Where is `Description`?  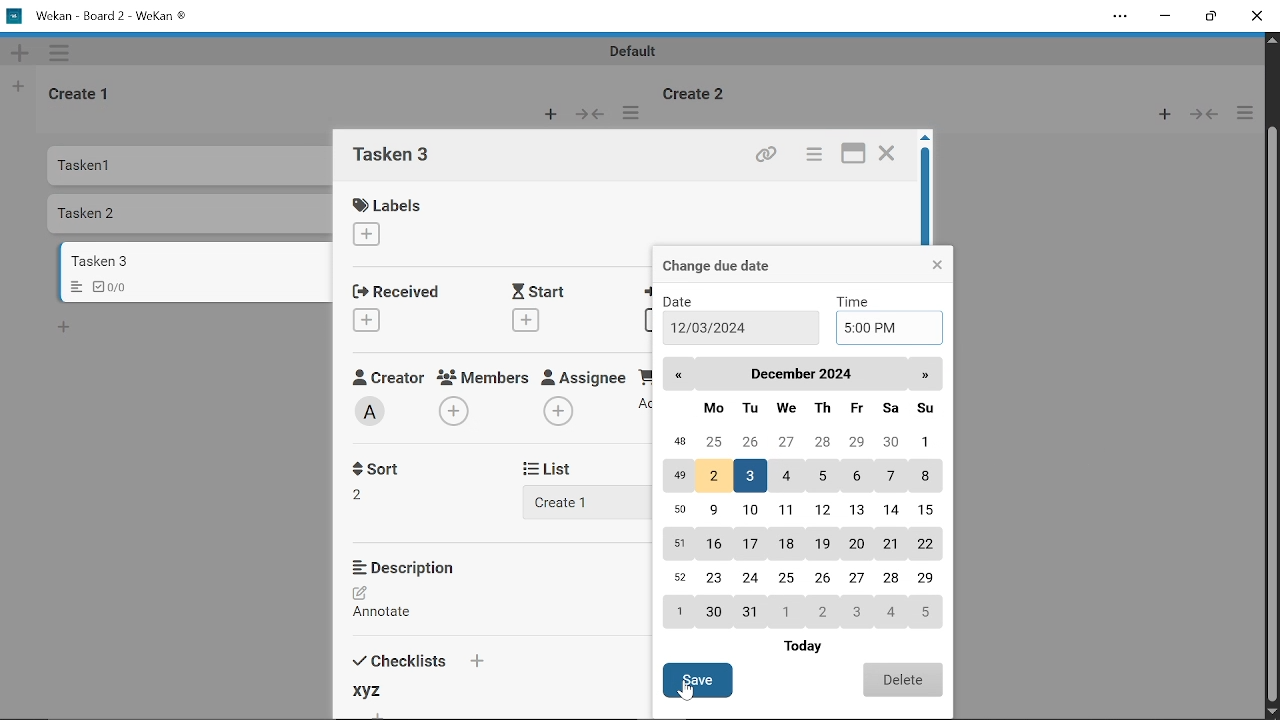
Description is located at coordinates (413, 567).